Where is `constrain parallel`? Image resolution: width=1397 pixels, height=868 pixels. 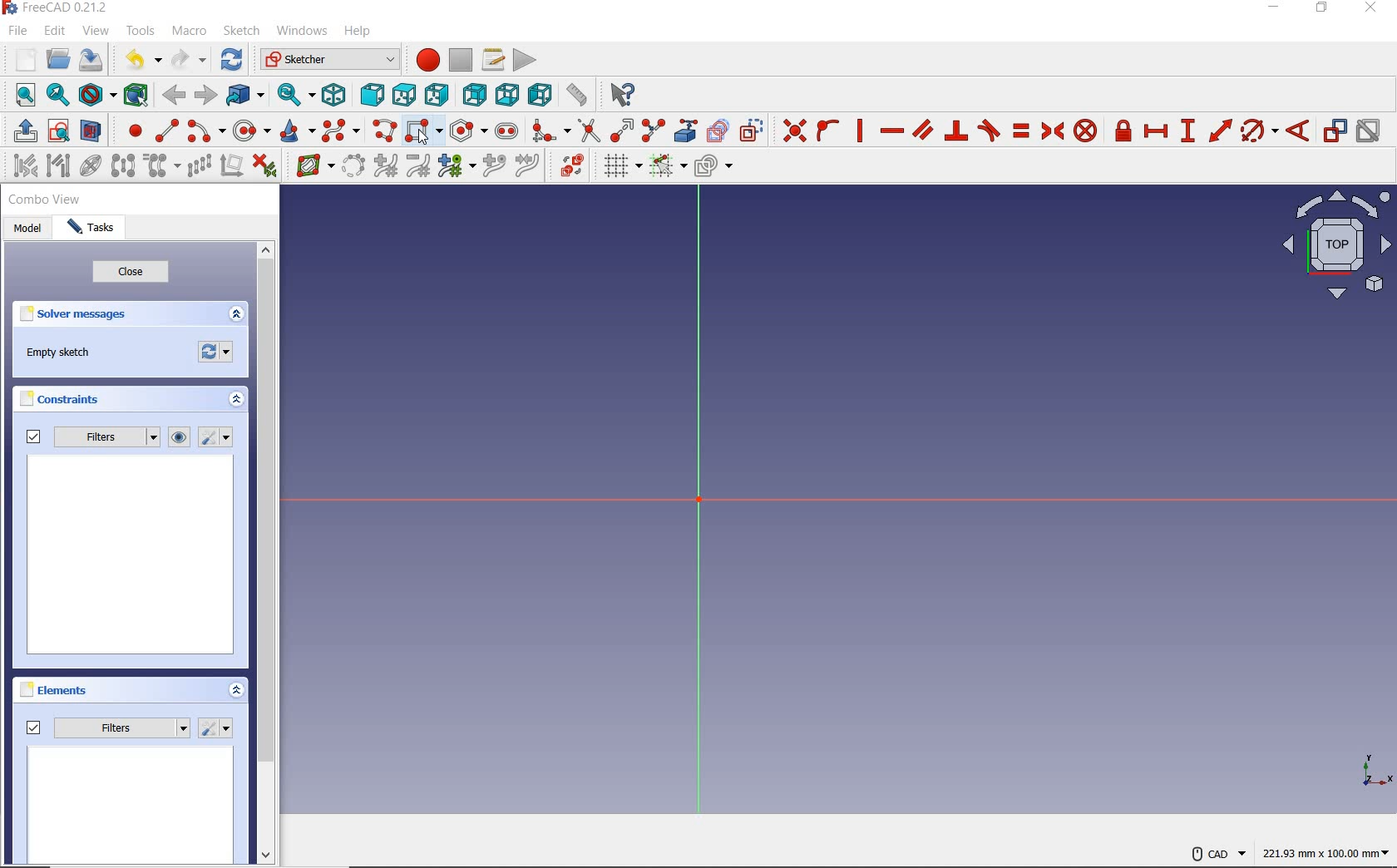
constrain parallel is located at coordinates (922, 131).